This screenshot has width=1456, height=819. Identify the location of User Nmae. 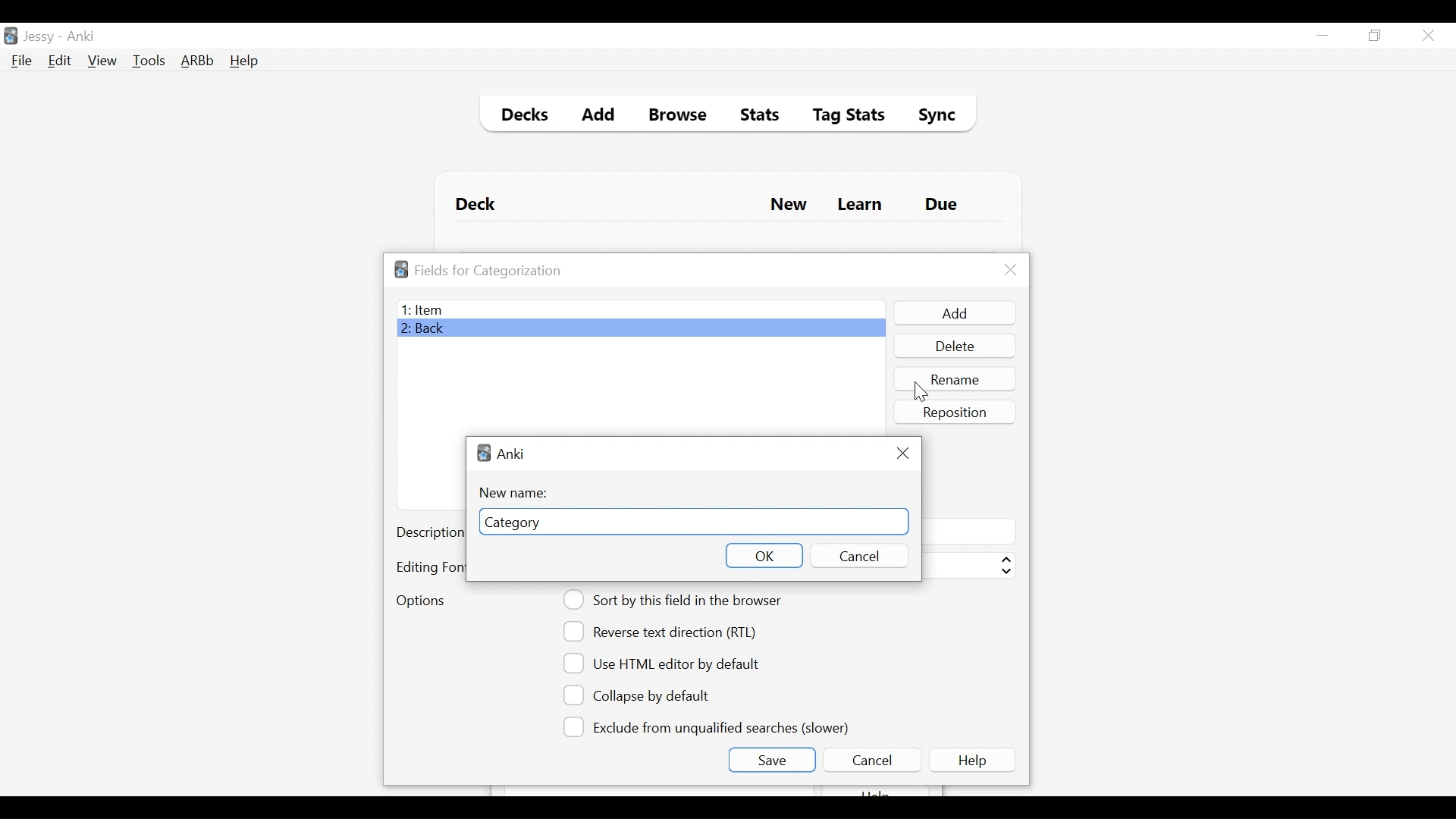
(42, 37).